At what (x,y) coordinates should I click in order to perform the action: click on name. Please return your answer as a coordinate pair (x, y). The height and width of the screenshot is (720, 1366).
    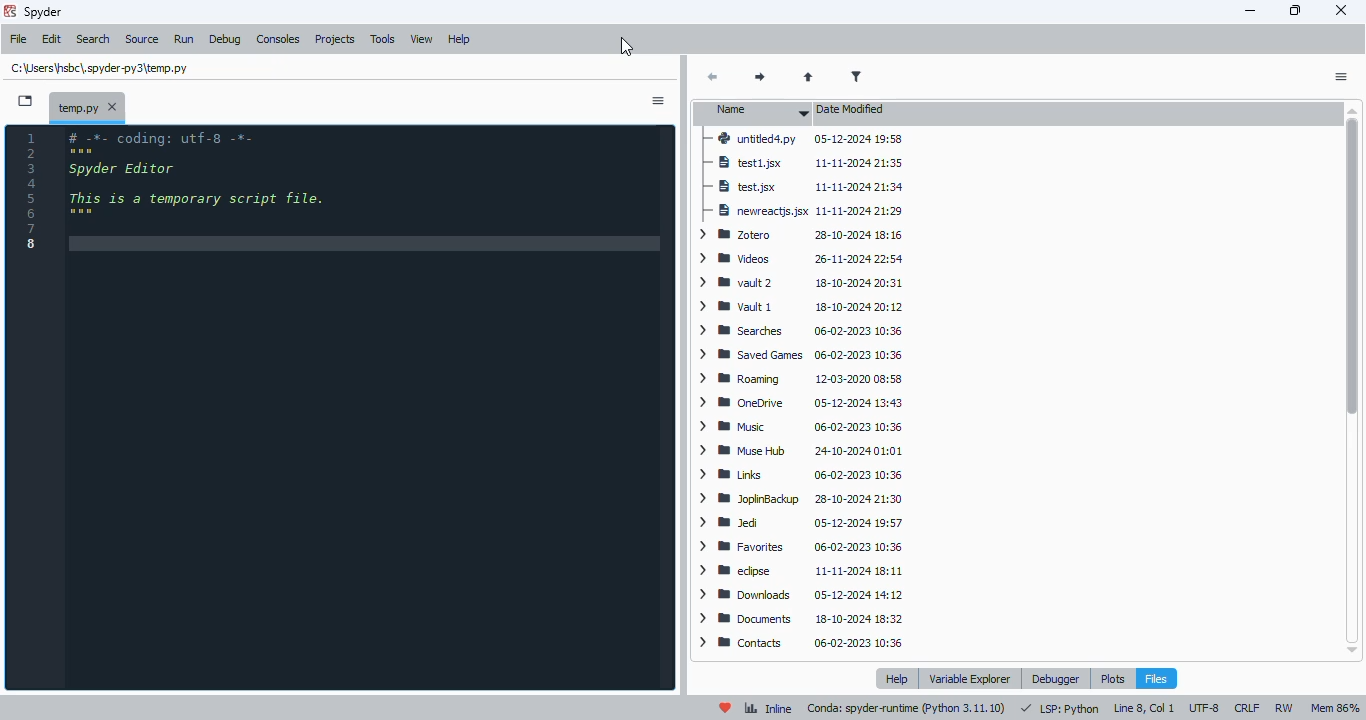
    Looking at the image, I should click on (756, 113).